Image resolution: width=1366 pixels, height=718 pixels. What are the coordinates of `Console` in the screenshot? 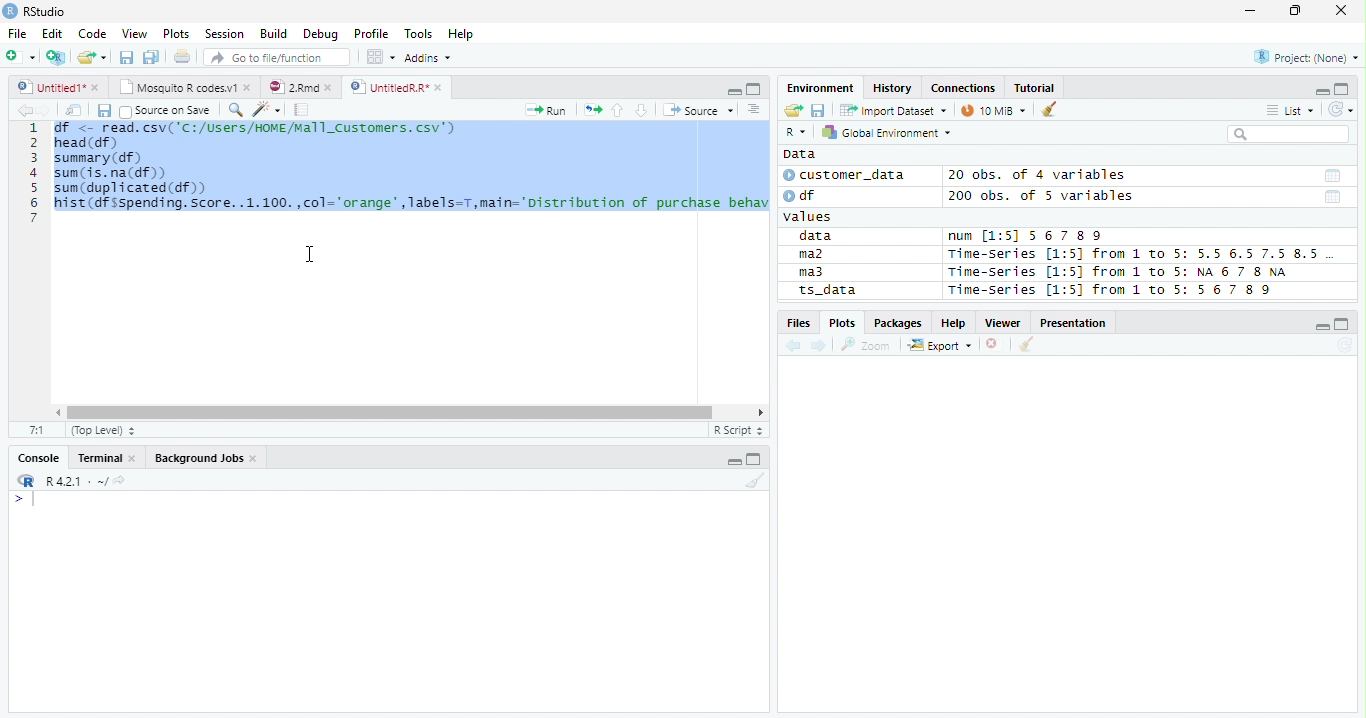 It's located at (39, 456).